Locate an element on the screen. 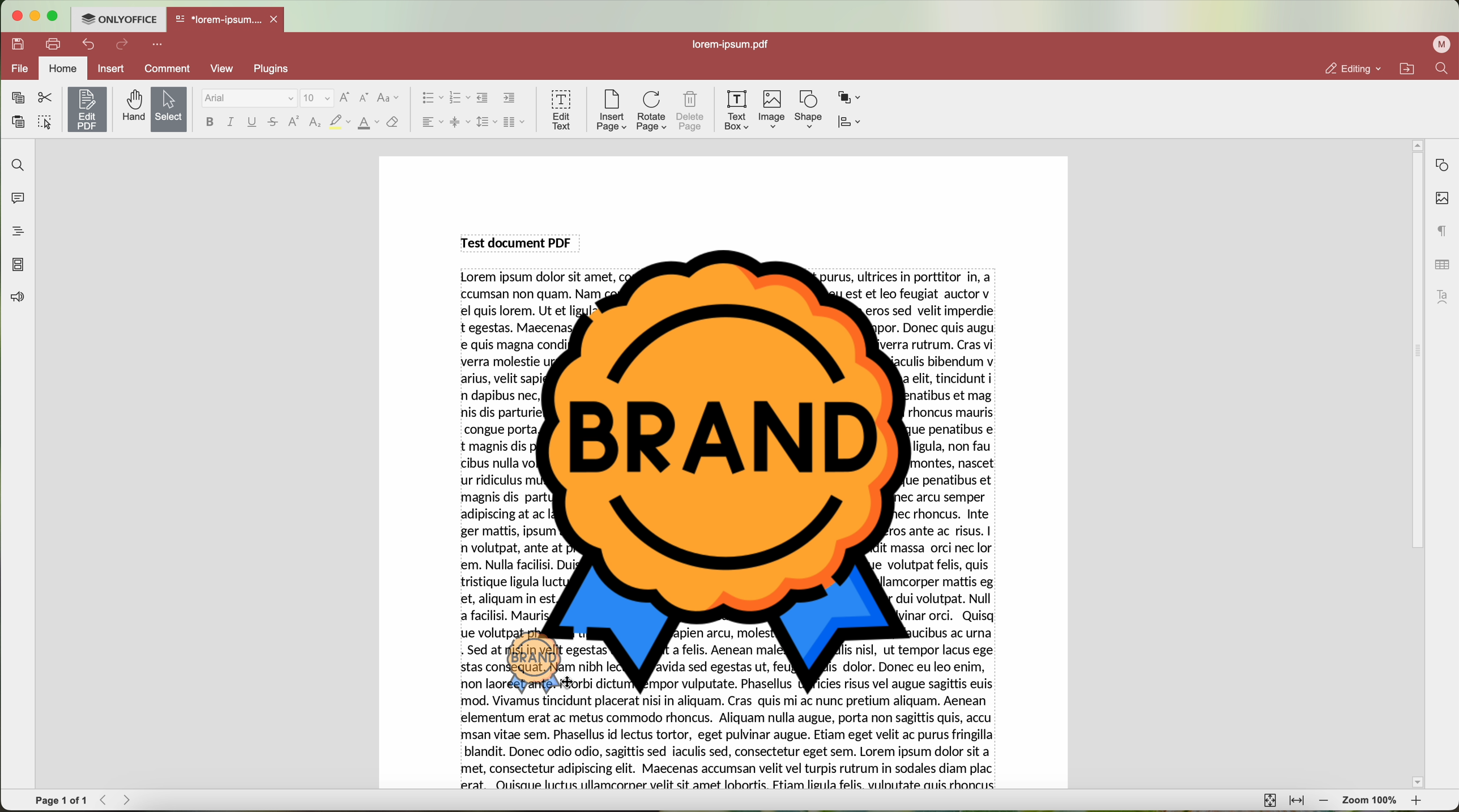 The height and width of the screenshot is (812, 1459). subscript is located at coordinates (316, 123).